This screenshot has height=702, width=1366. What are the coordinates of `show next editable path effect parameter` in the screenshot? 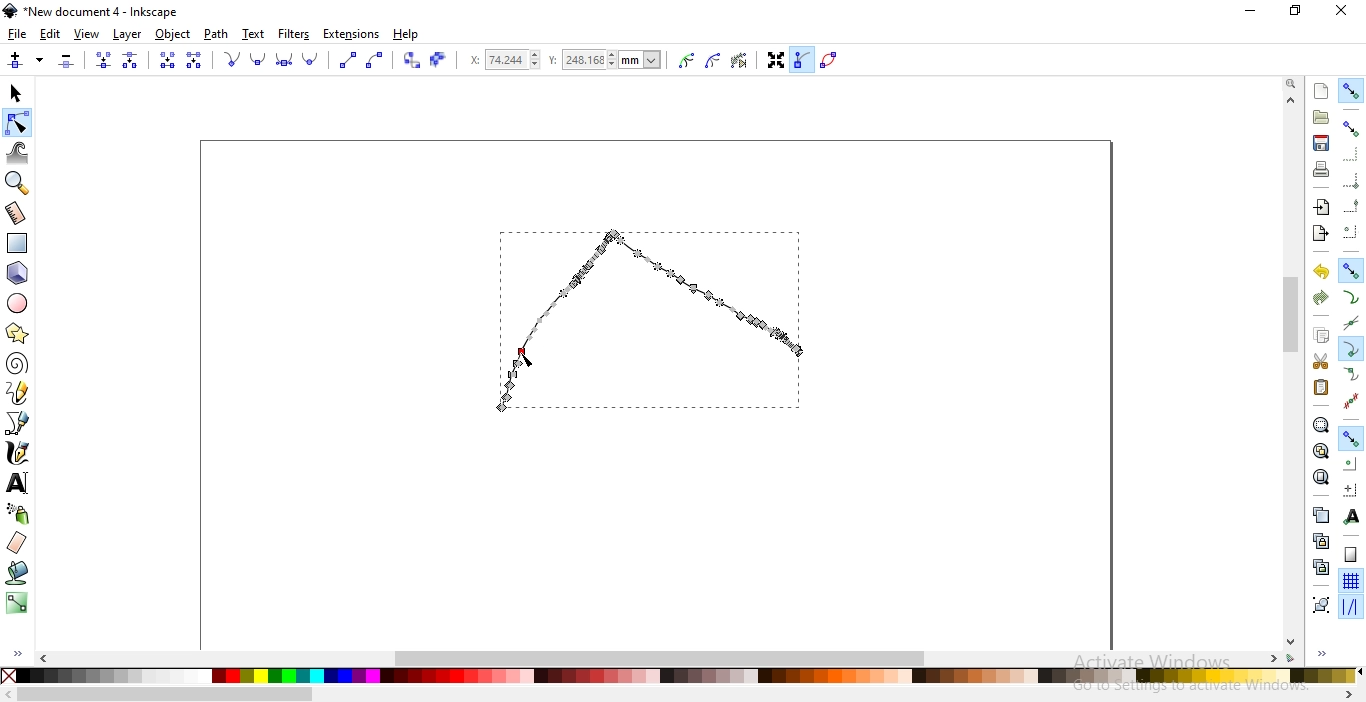 It's located at (743, 62).